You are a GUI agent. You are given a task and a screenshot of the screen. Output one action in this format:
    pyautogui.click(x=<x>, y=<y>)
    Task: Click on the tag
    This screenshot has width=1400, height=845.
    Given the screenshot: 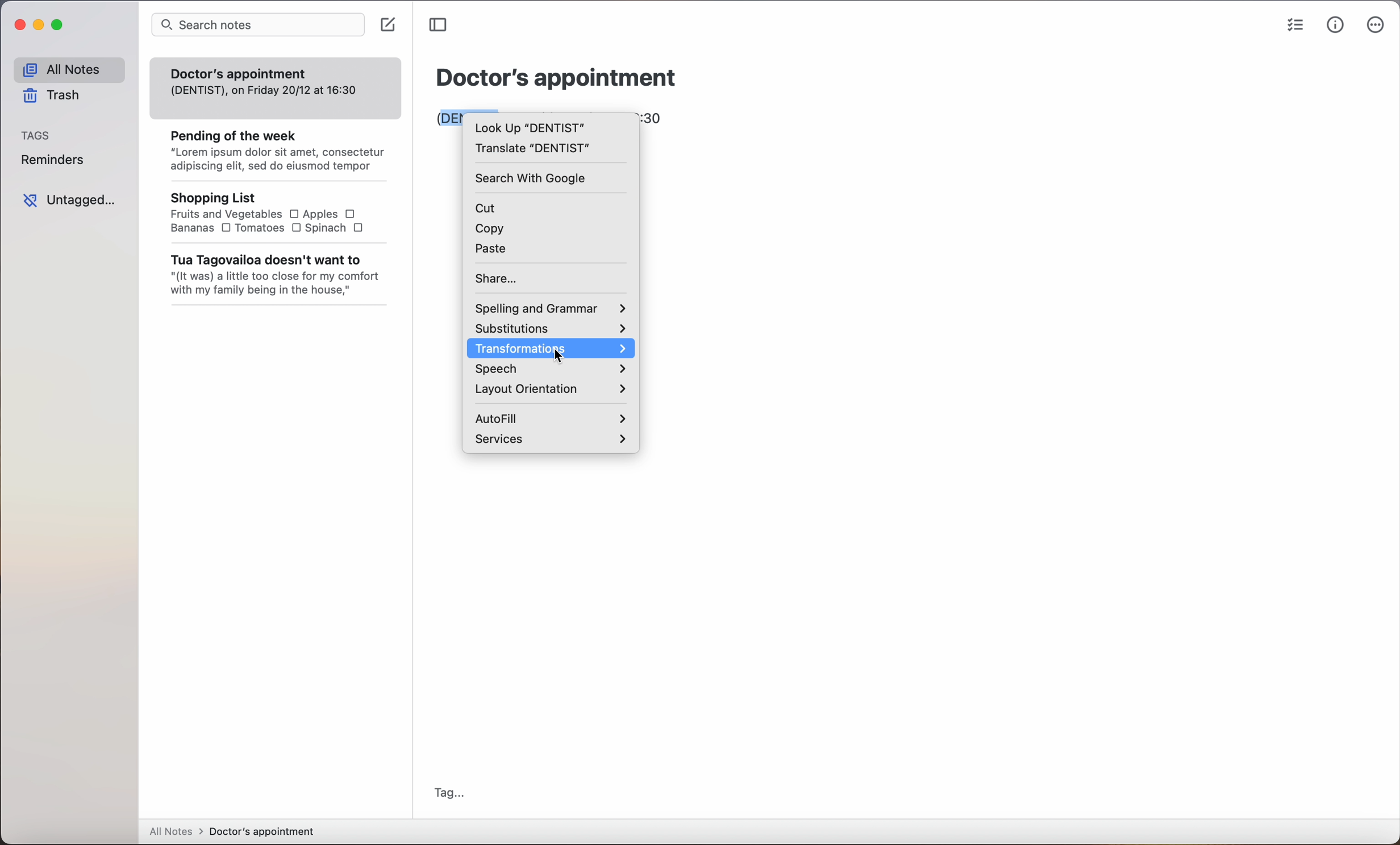 What is the action you would take?
    pyautogui.click(x=449, y=791)
    